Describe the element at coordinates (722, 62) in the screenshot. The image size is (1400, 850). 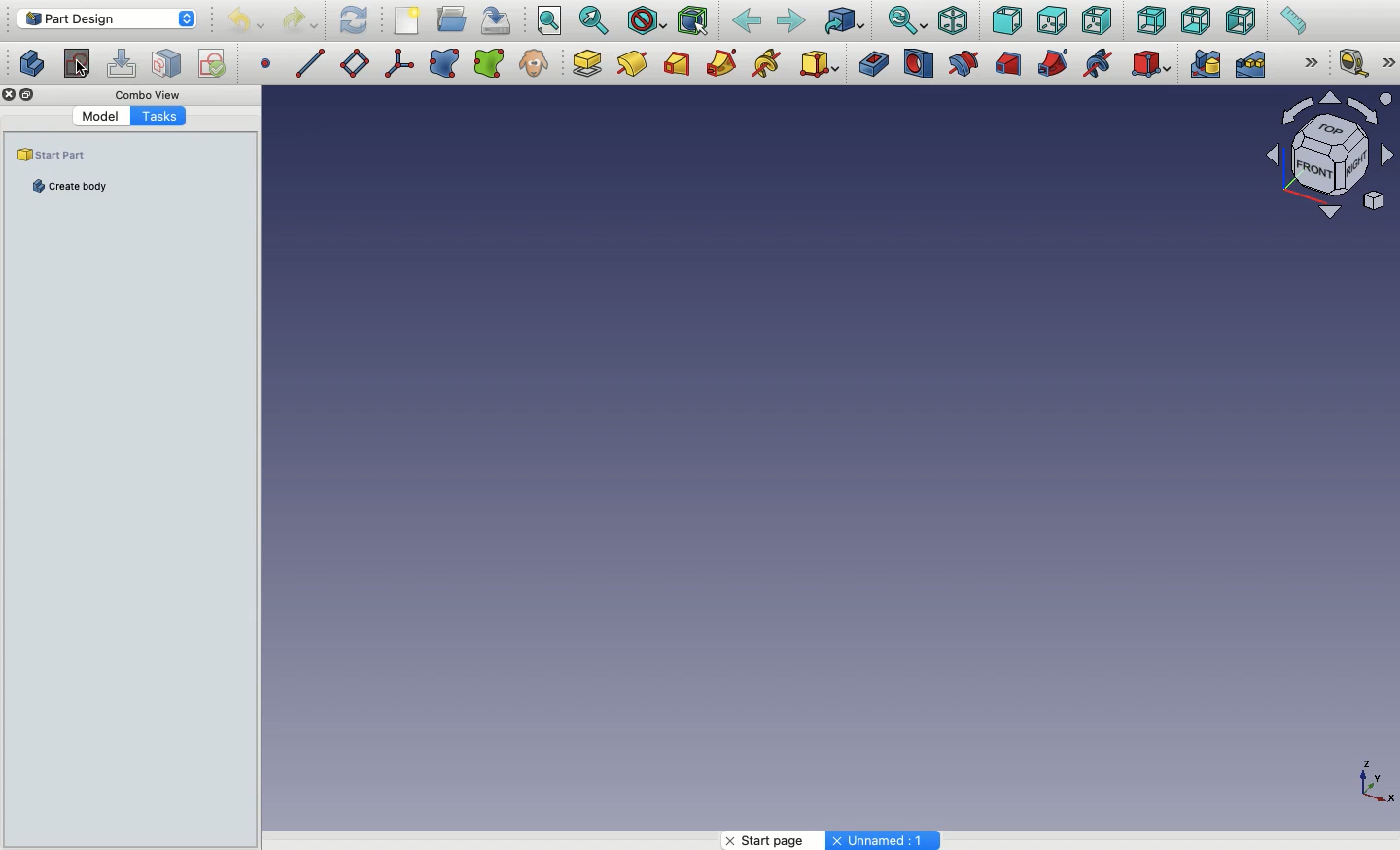
I see `Additive pipe` at that location.